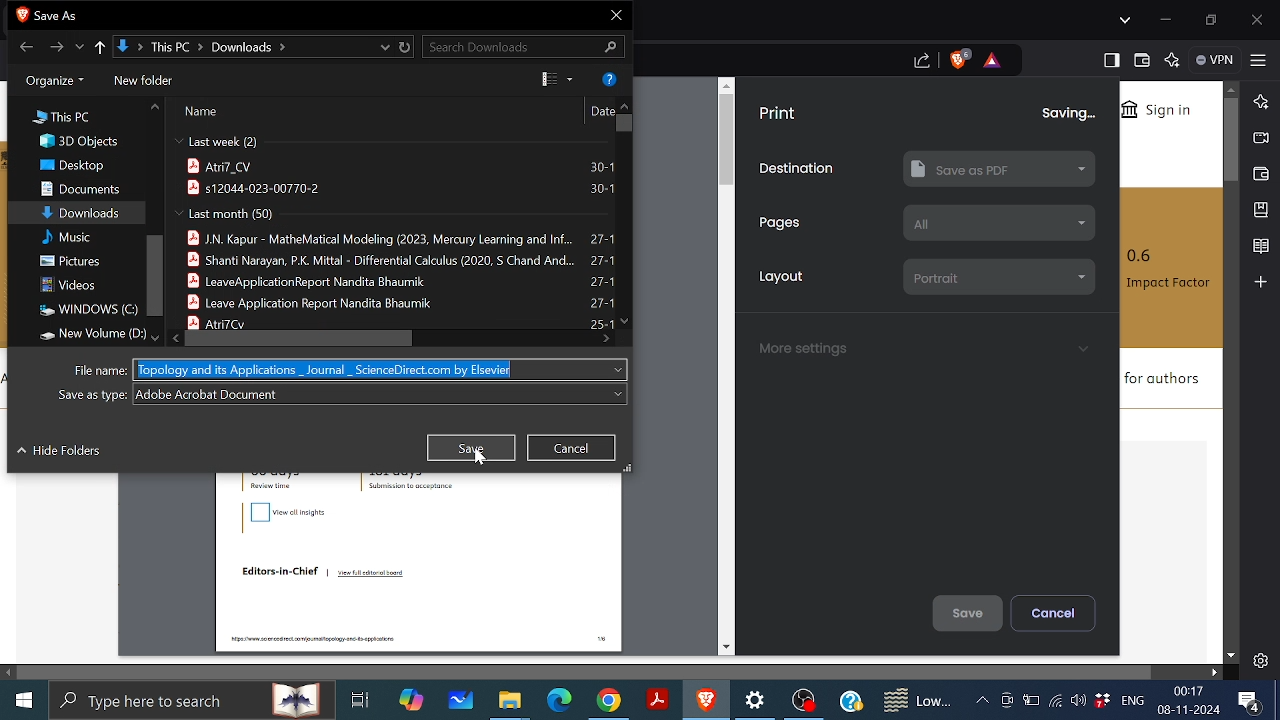 The image size is (1280, 720). I want to click on Get help, so click(609, 77).